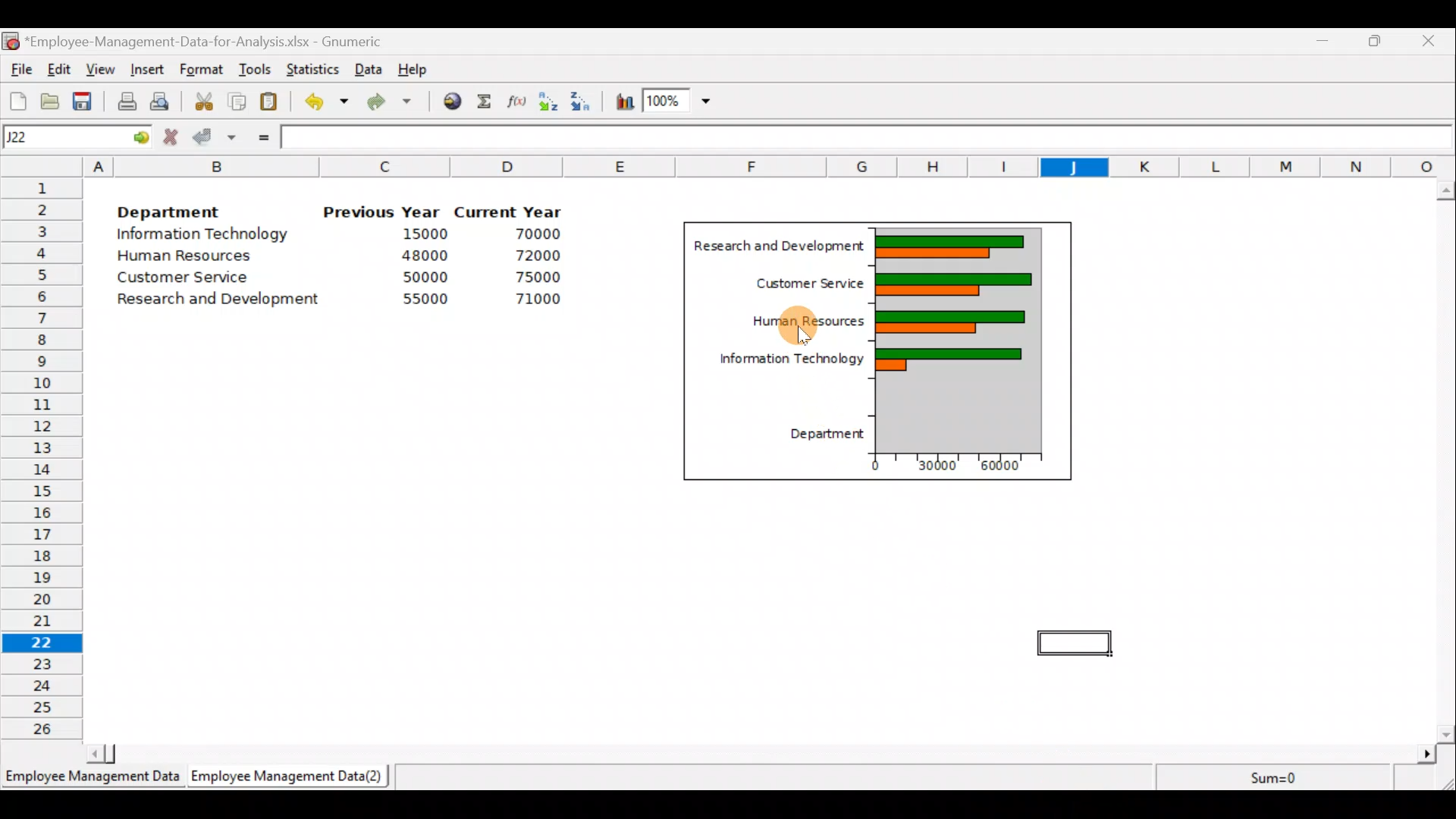 This screenshot has height=819, width=1456. Describe the element at coordinates (584, 102) in the screenshot. I see `Sort in descending order` at that location.